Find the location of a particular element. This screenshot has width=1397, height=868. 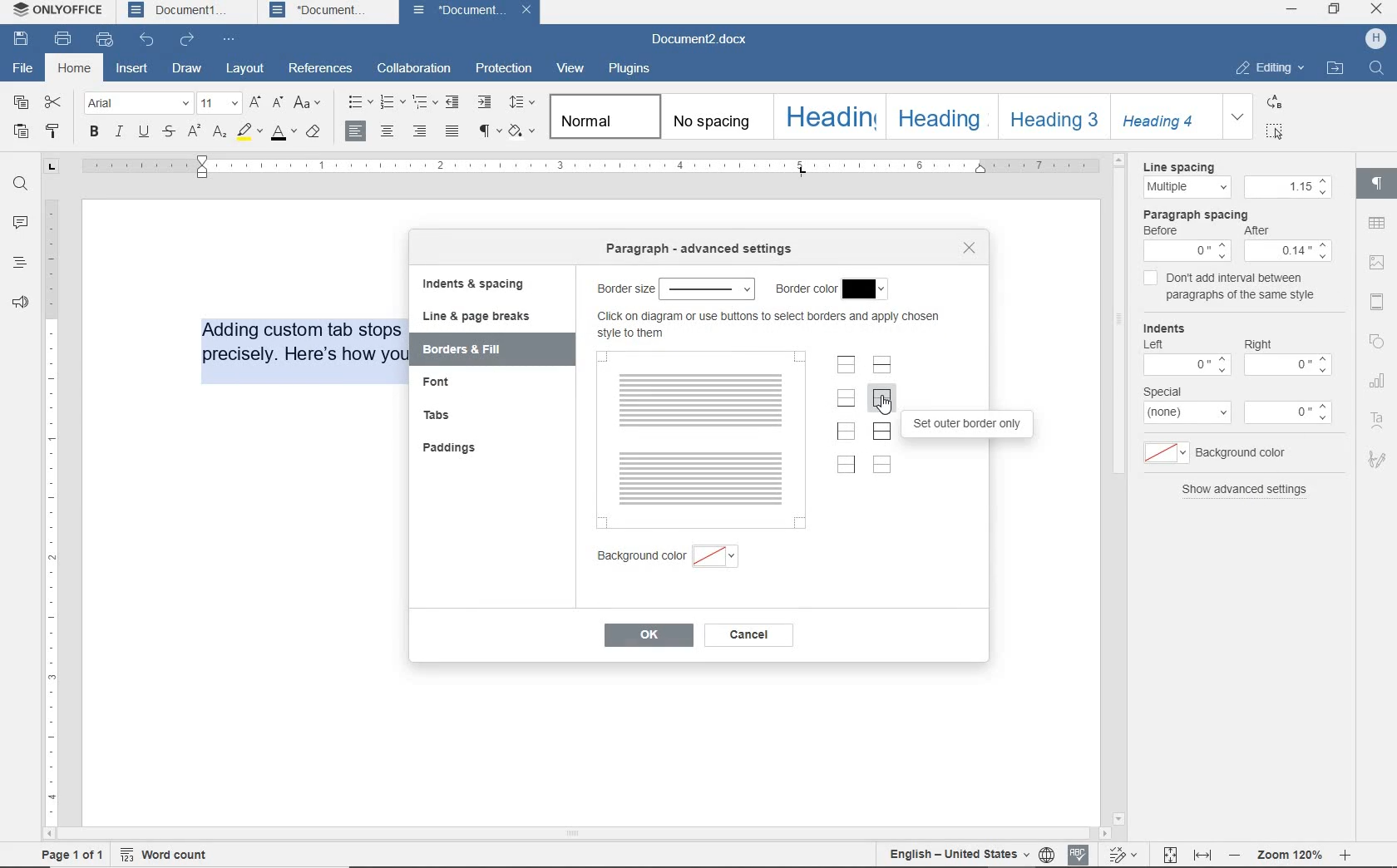

menu is located at coordinates (1187, 414).